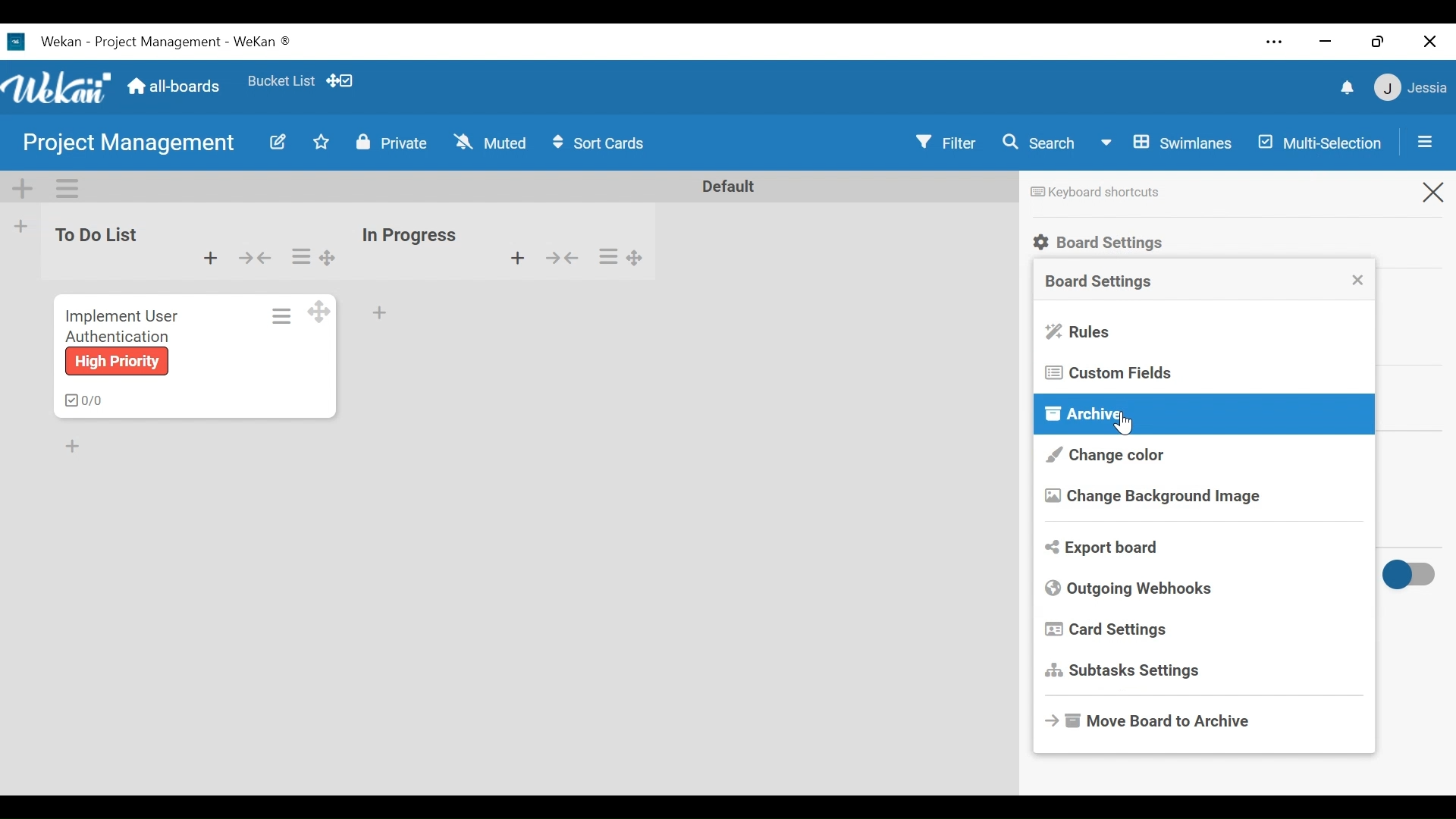 This screenshot has height=819, width=1456. Describe the element at coordinates (390, 141) in the screenshot. I see `Private` at that location.